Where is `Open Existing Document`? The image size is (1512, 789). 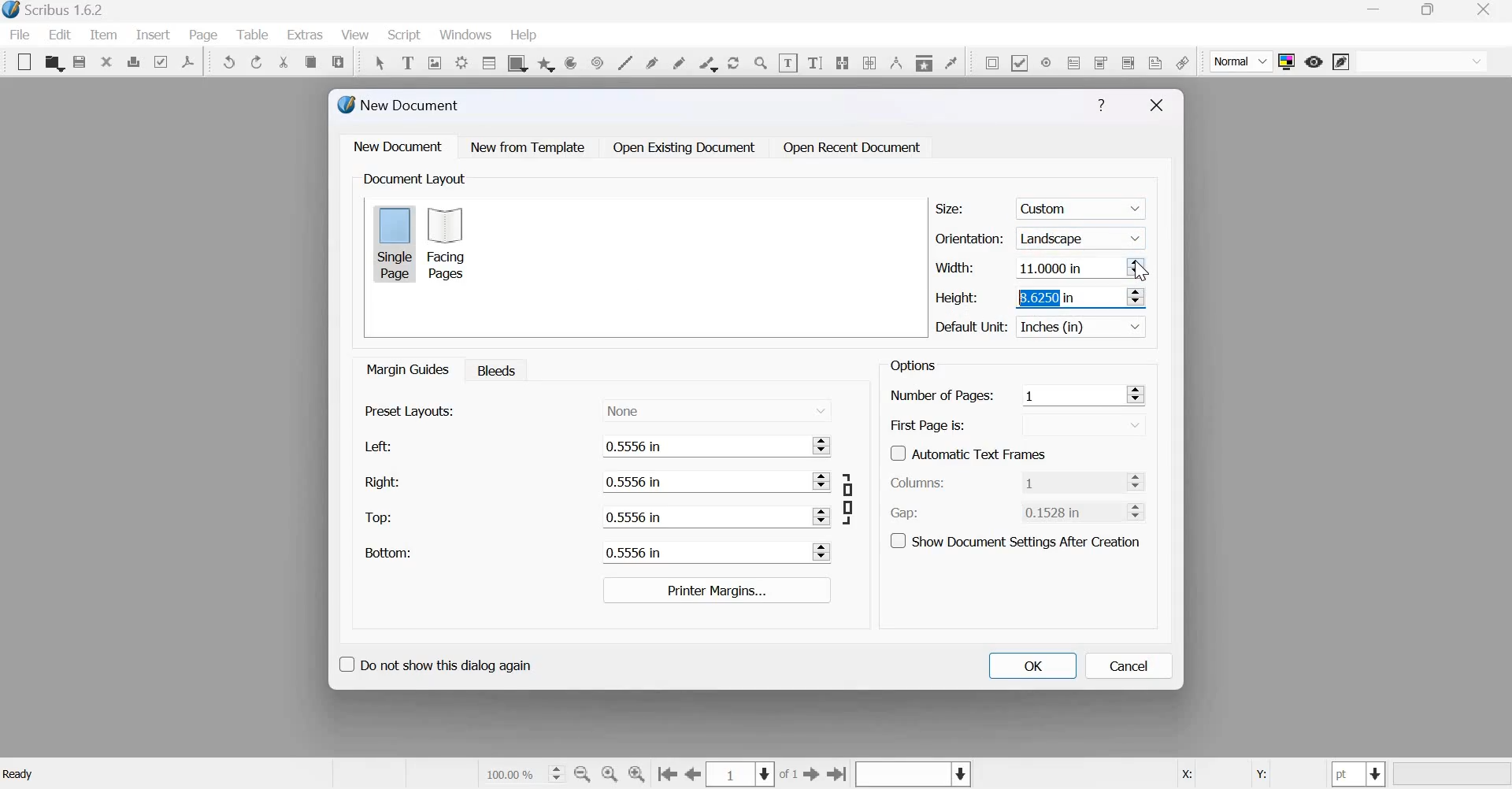 Open Existing Document is located at coordinates (683, 147).